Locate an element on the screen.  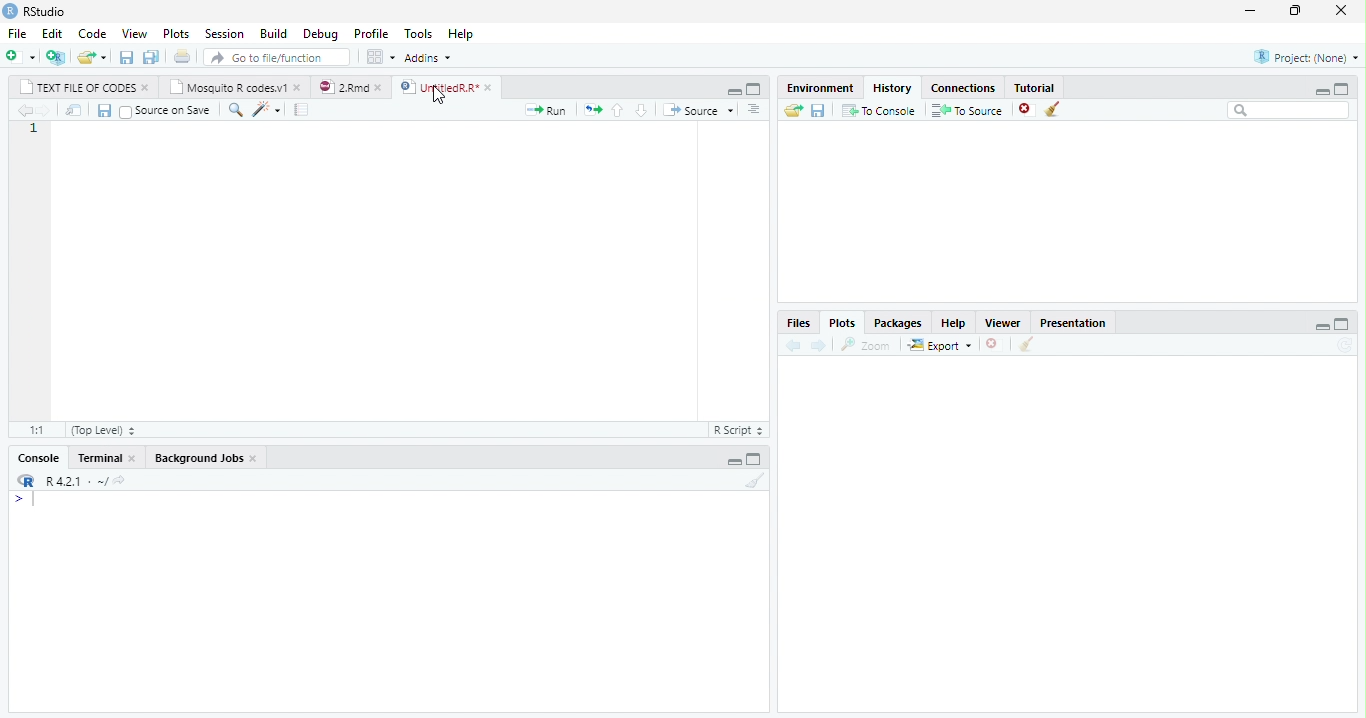
zoom is located at coordinates (867, 344).